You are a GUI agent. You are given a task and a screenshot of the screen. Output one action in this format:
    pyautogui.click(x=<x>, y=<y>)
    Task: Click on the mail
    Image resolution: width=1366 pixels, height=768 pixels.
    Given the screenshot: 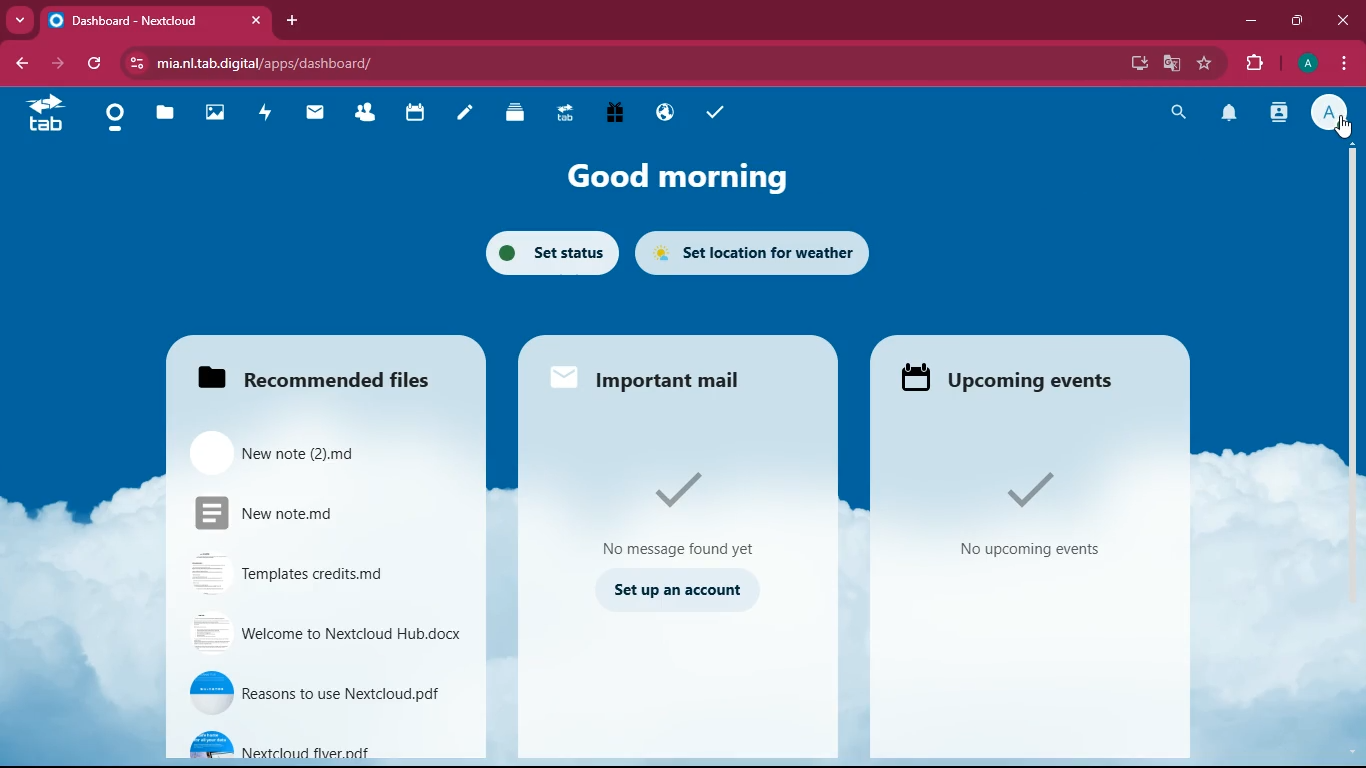 What is the action you would take?
    pyautogui.click(x=316, y=114)
    